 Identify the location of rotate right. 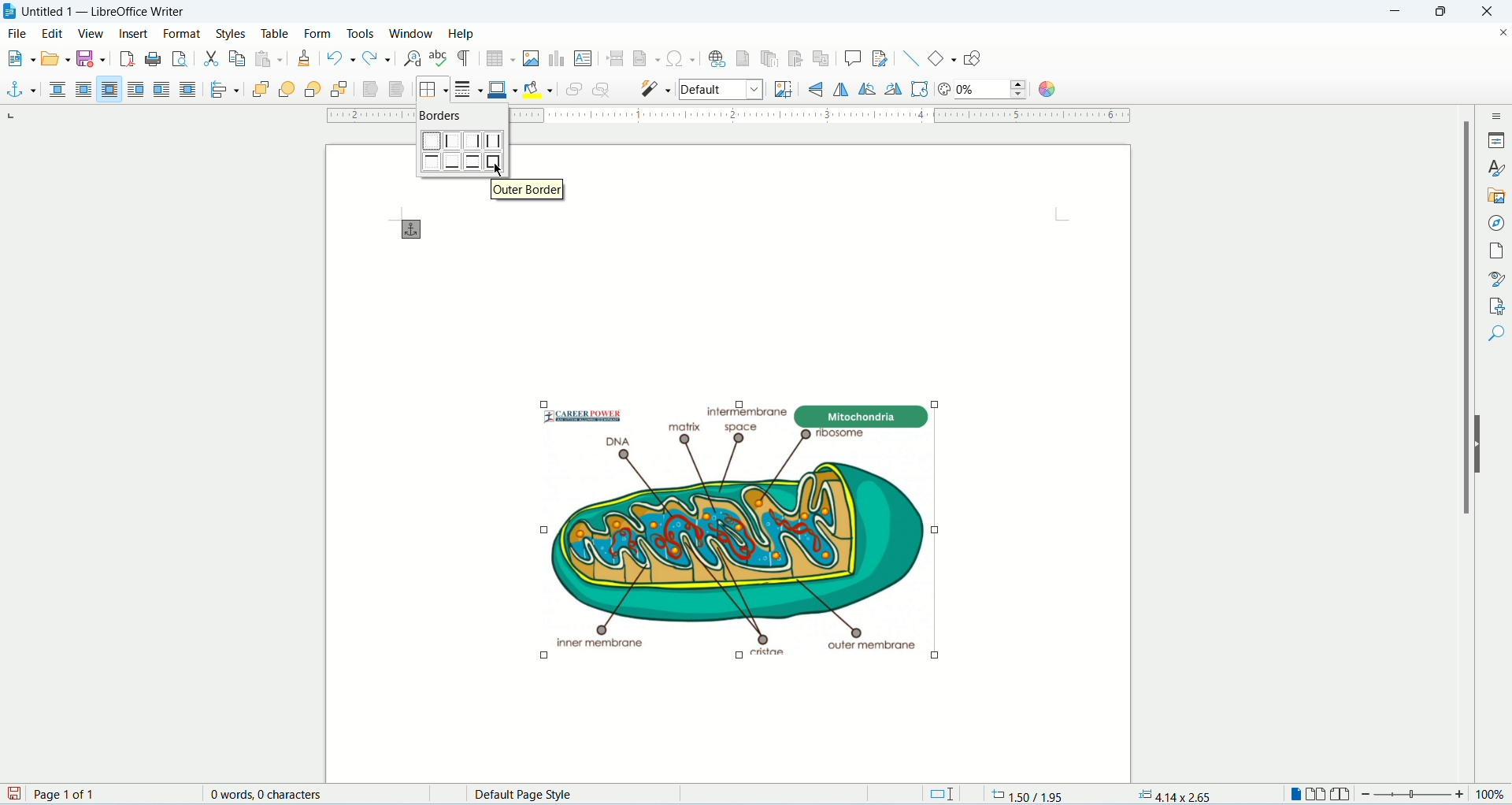
(895, 90).